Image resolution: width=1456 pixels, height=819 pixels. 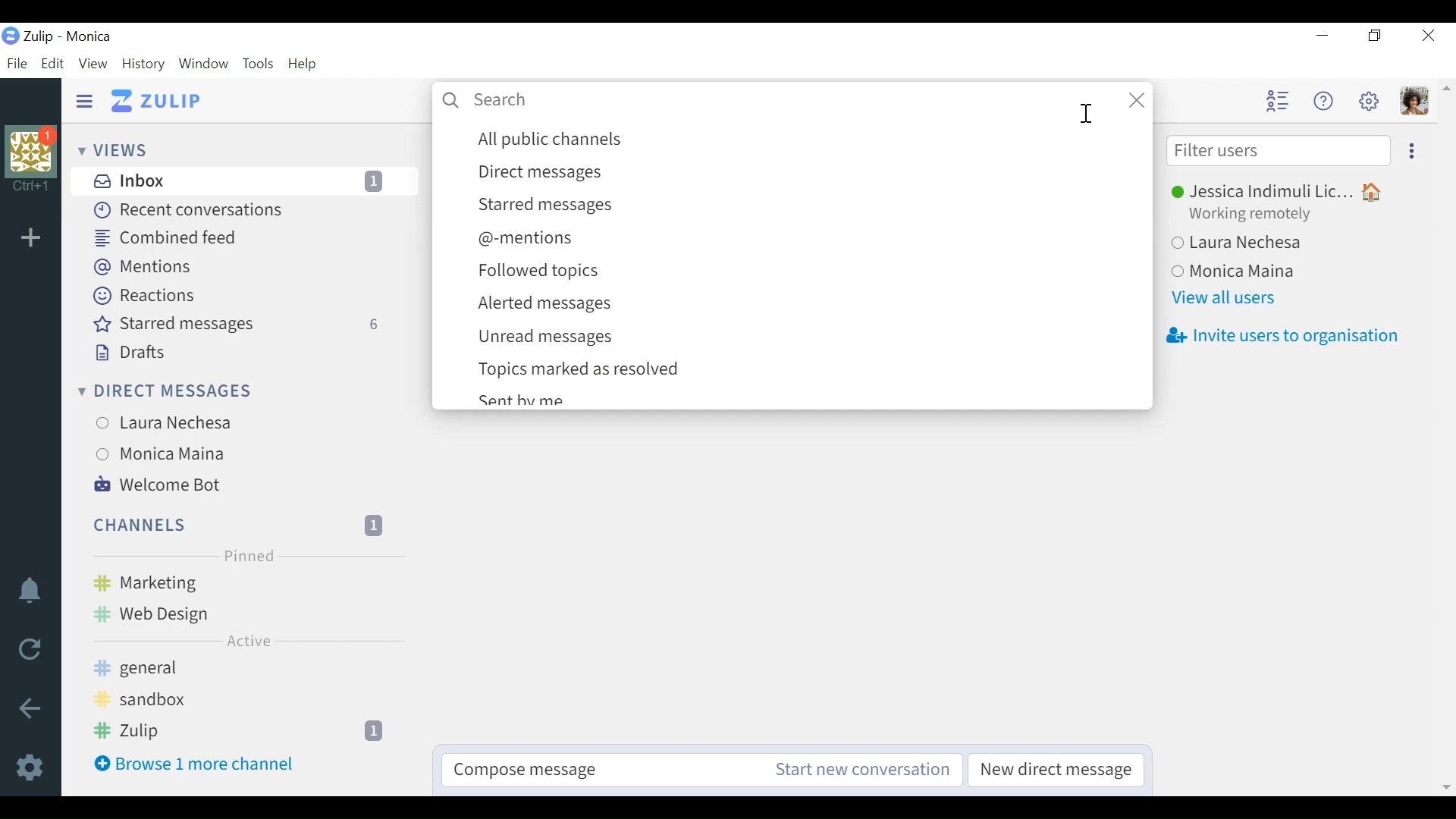 What do you see at coordinates (1377, 35) in the screenshot?
I see `Restore` at bounding box center [1377, 35].